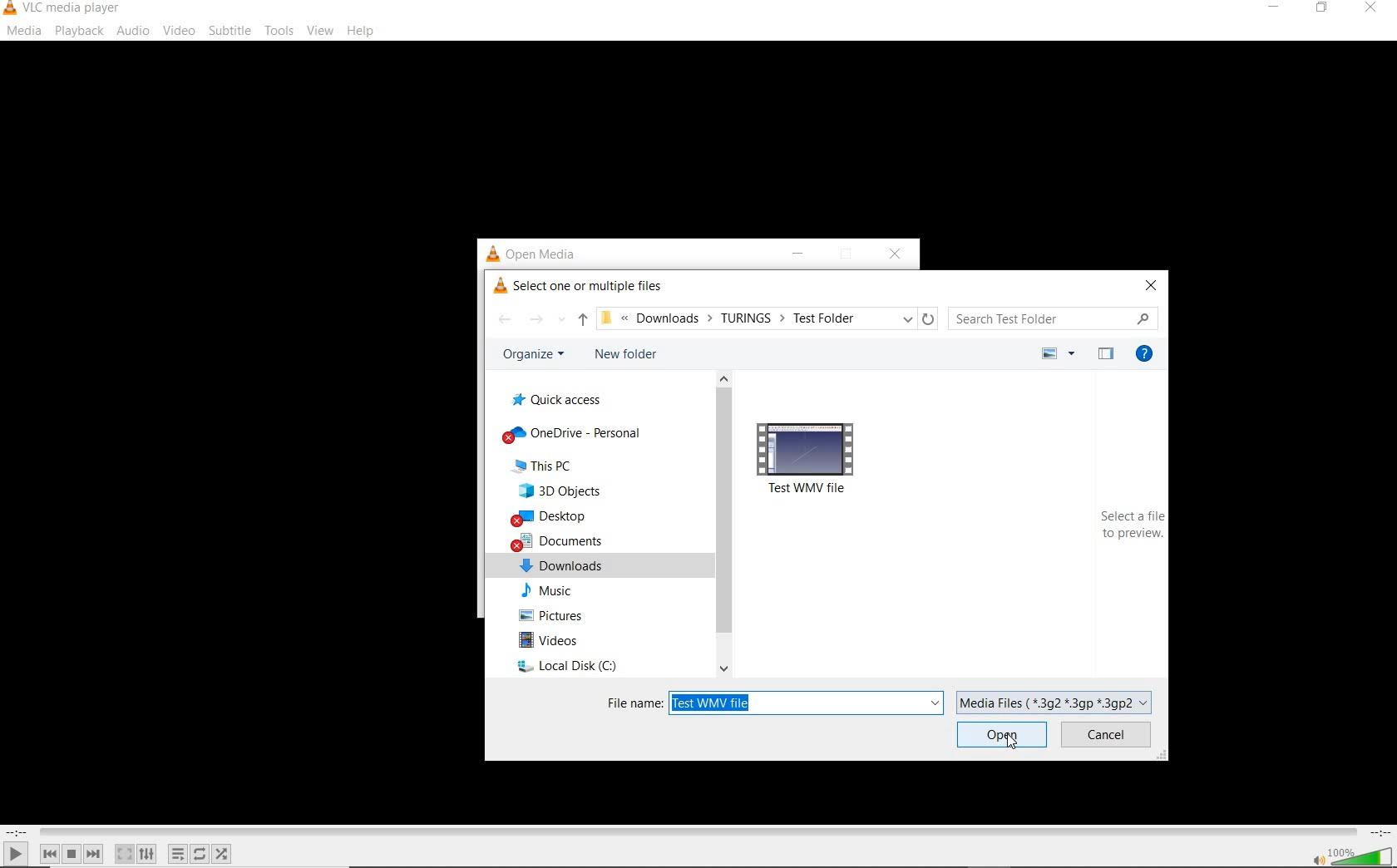  I want to click on select a file to preview, so click(1129, 525).